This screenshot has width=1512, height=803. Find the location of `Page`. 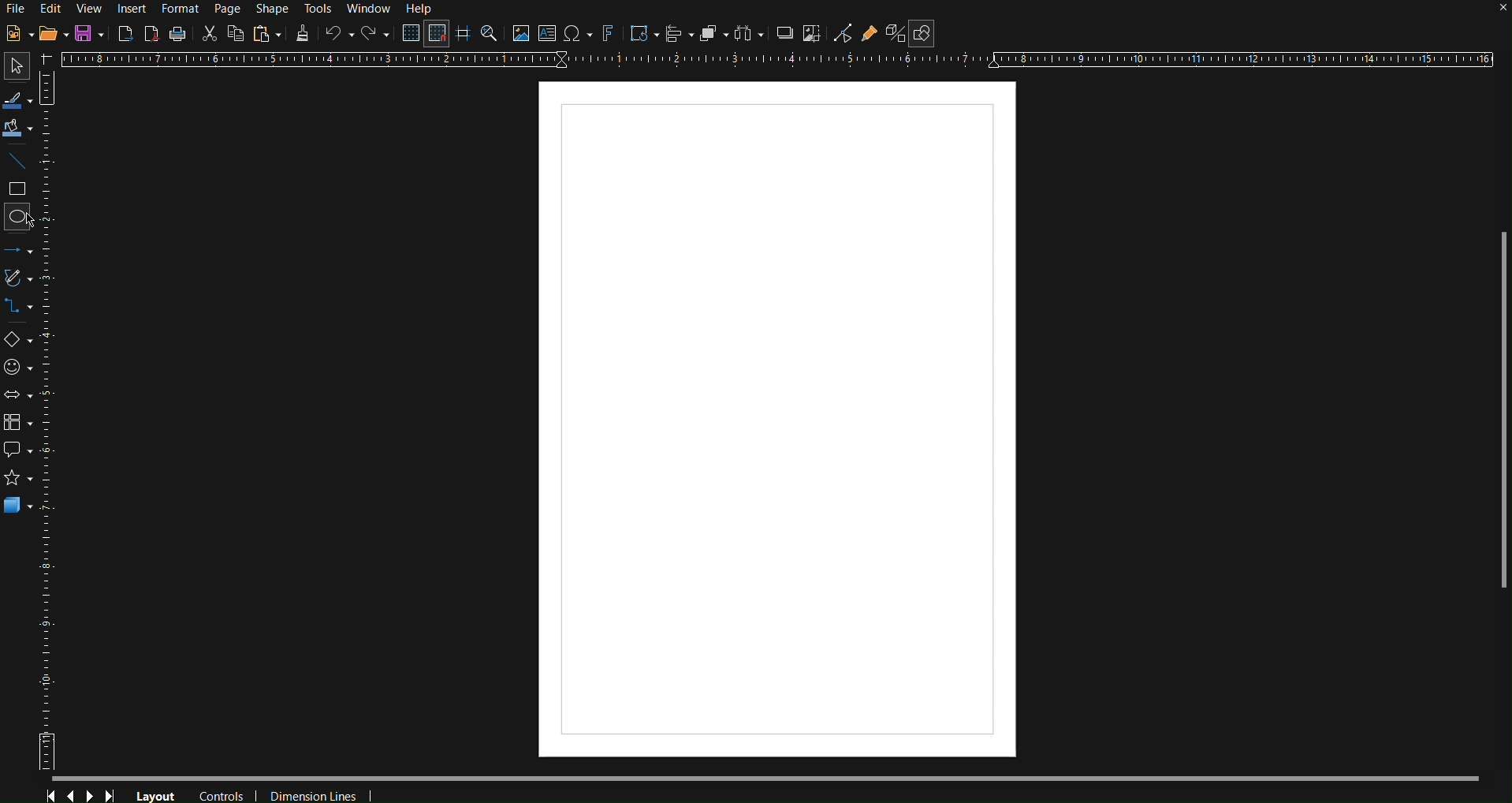

Page is located at coordinates (230, 9).